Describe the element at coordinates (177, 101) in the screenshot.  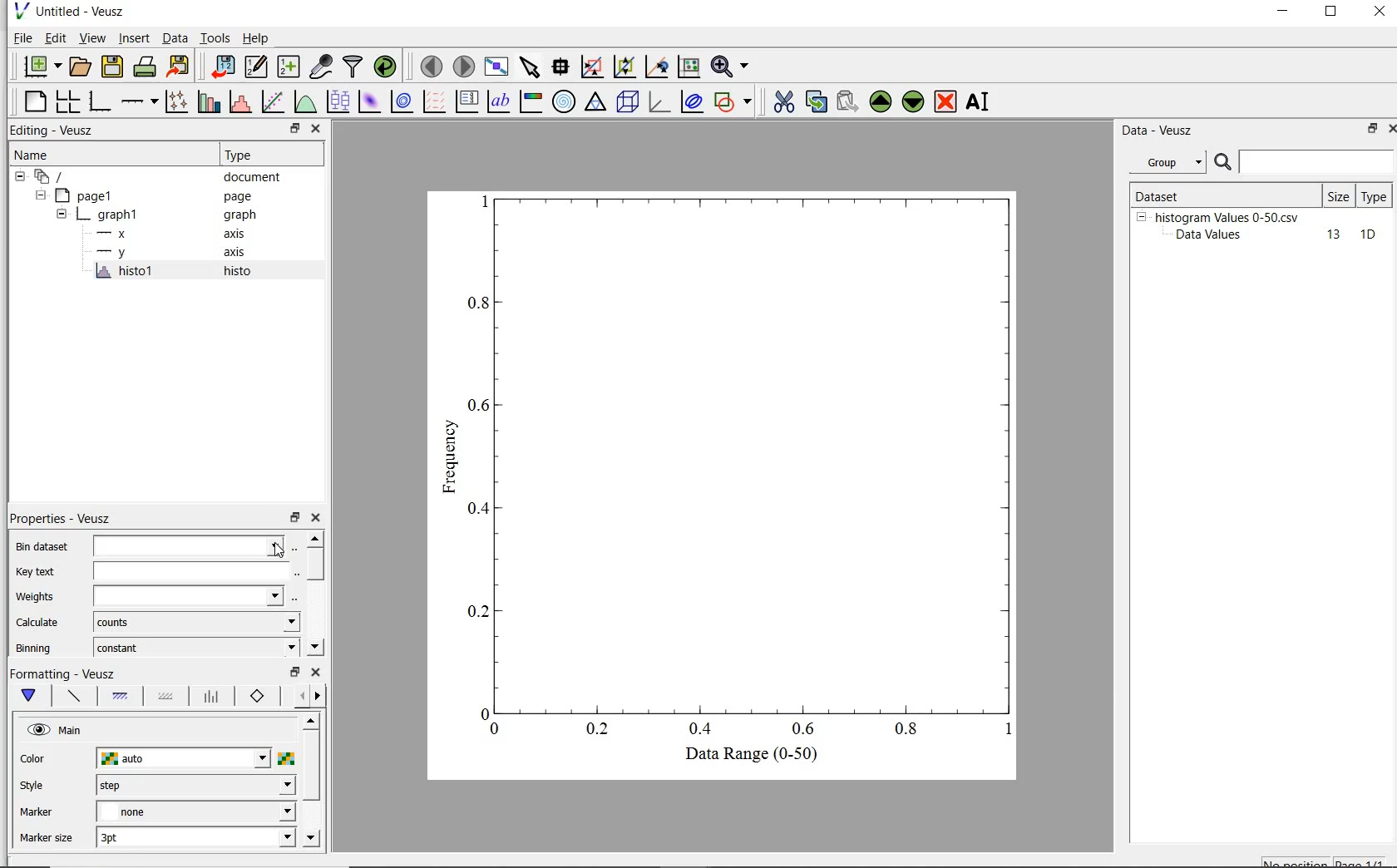
I see `plot points with line and error bars` at that location.